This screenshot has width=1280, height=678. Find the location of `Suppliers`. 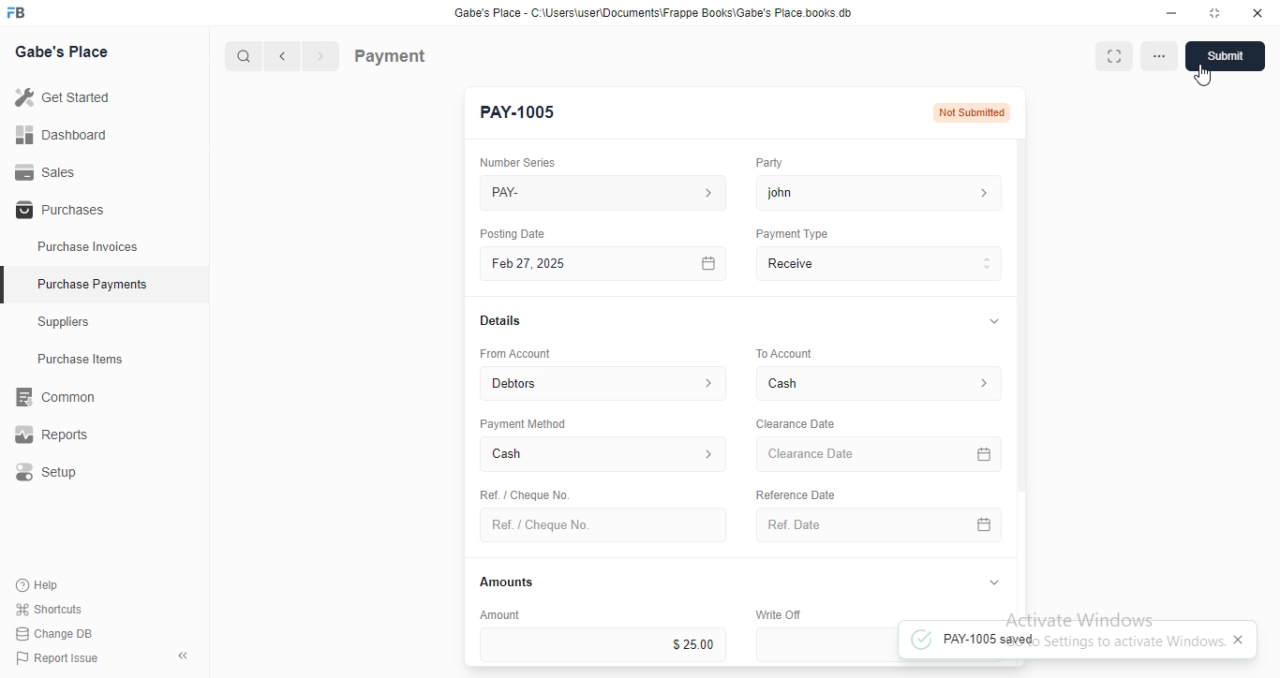

Suppliers is located at coordinates (70, 324).